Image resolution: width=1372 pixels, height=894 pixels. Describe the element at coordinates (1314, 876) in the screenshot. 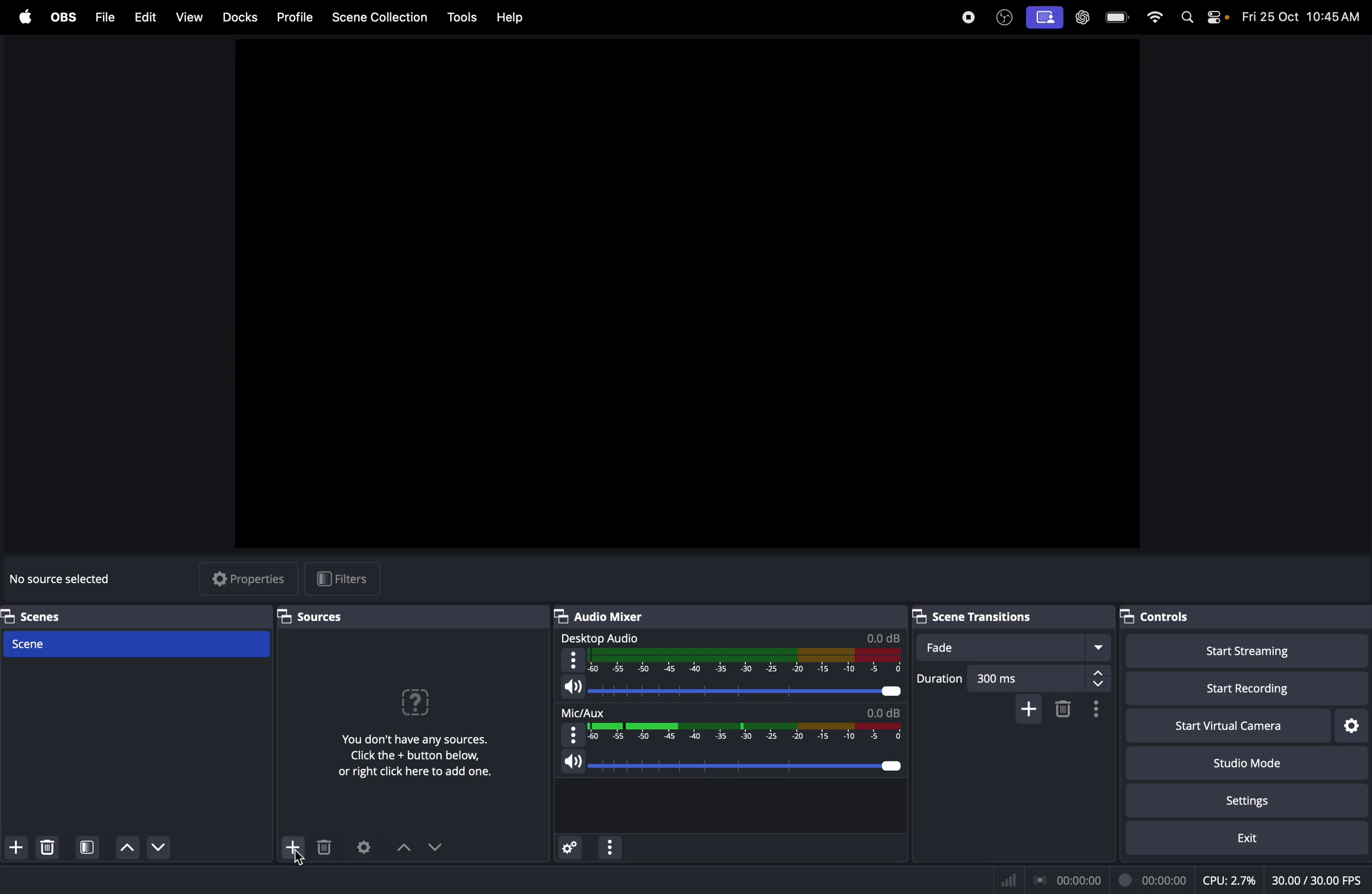

I see `client fps` at that location.